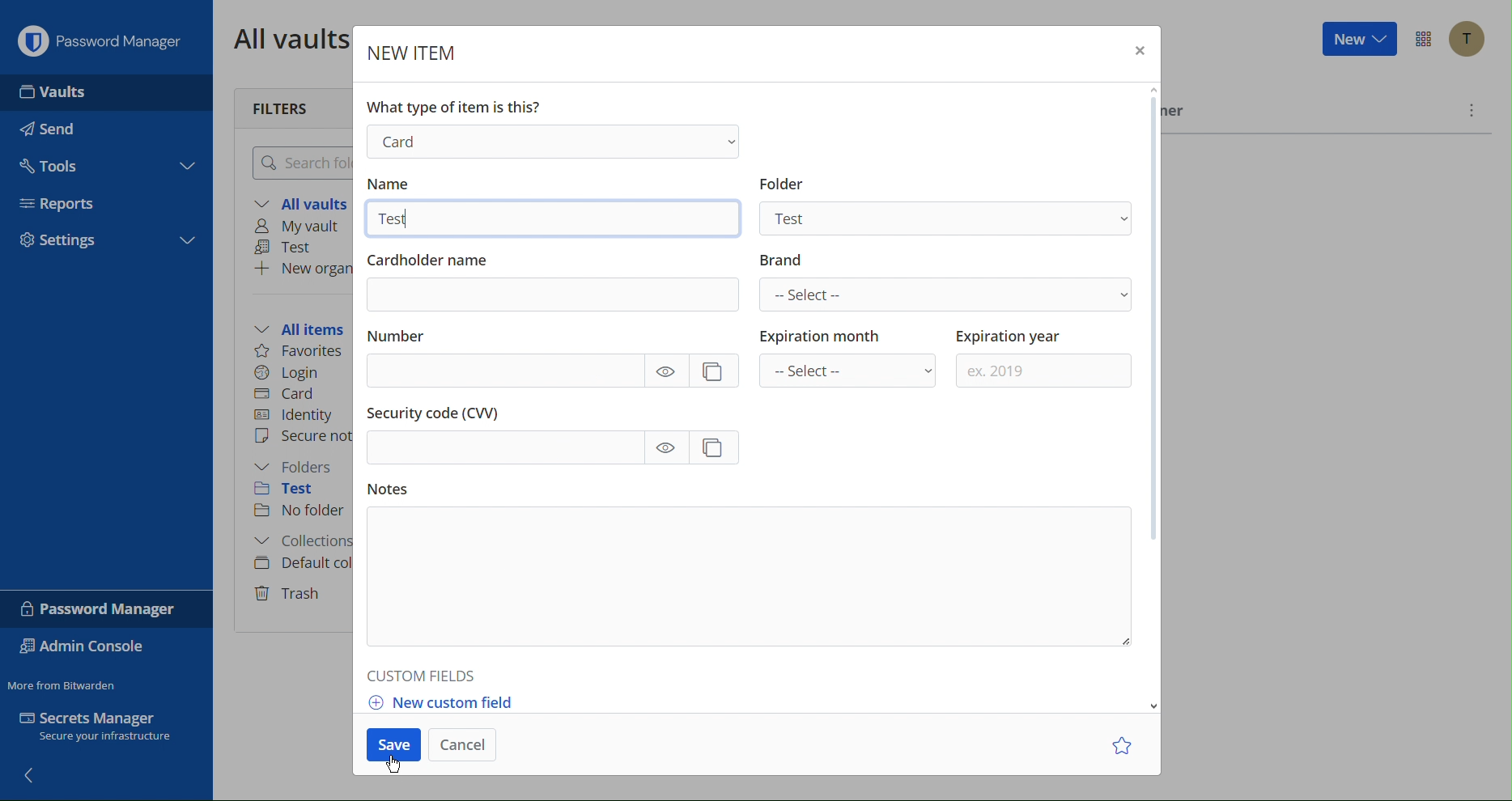 The width and height of the screenshot is (1512, 801). Describe the element at coordinates (293, 396) in the screenshot. I see `Card` at that location.